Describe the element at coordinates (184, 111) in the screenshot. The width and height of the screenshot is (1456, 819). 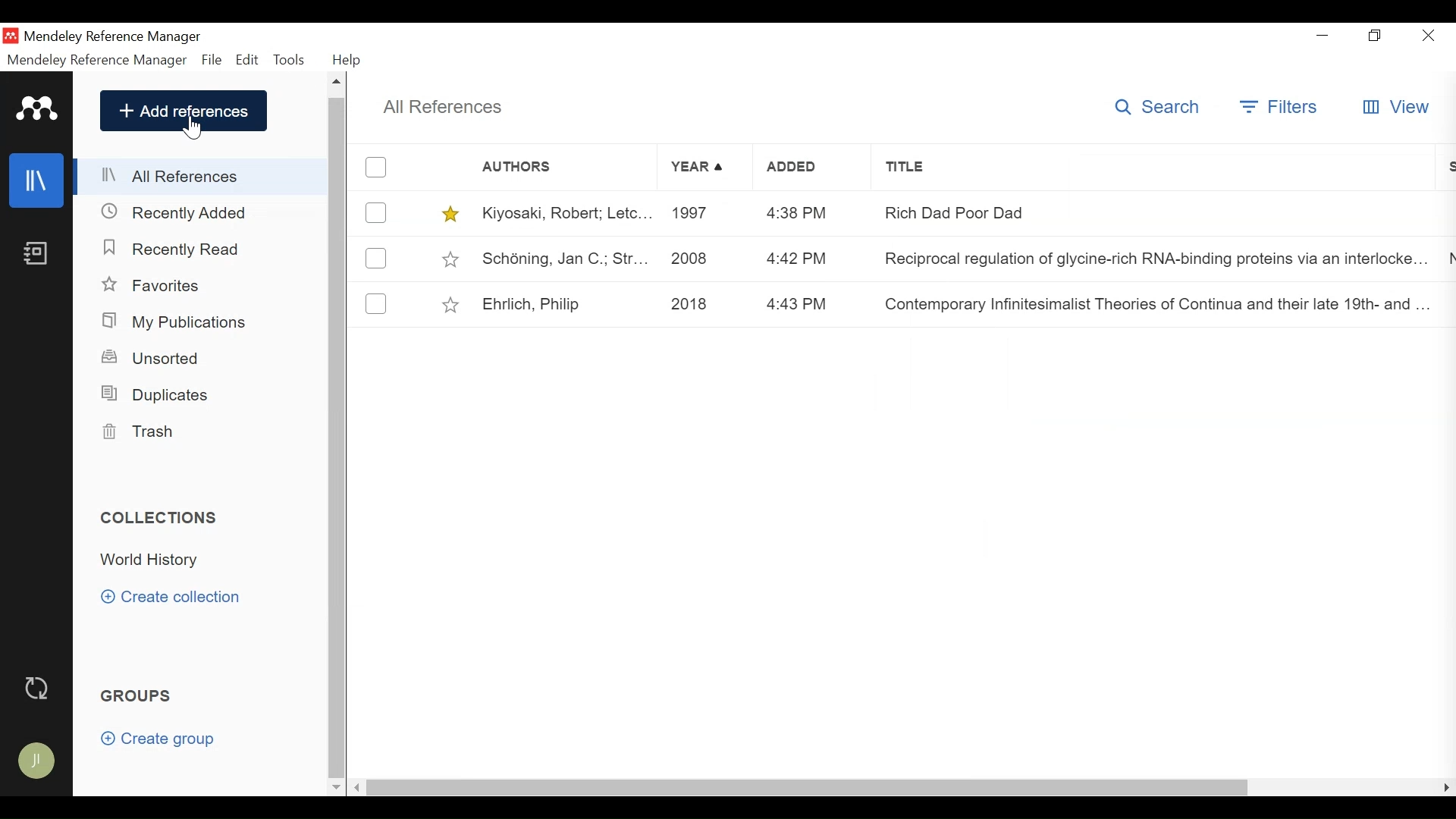
I see `Add References` at that location.